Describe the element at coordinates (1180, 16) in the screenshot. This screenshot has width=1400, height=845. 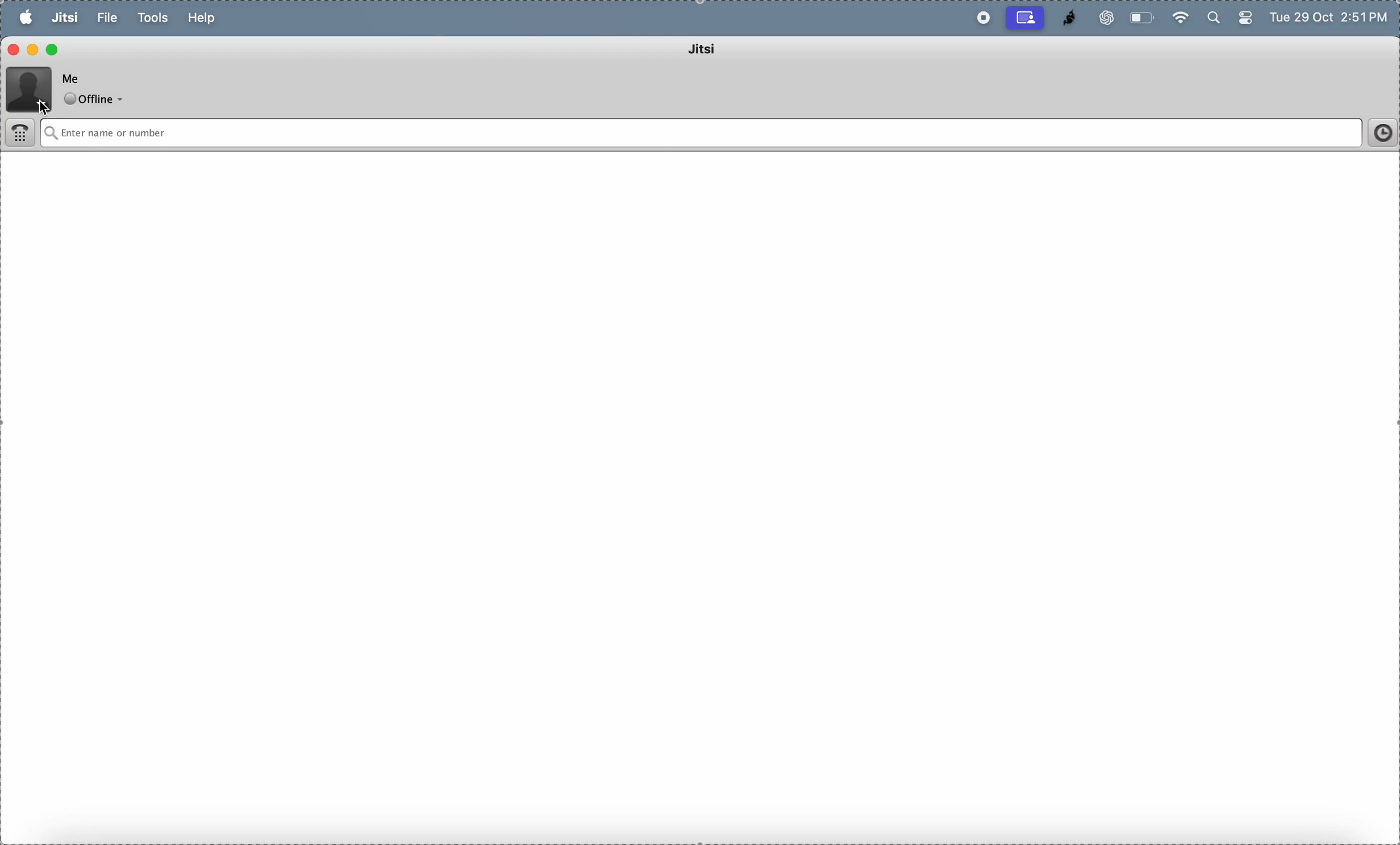
I see `wifi` at that location.